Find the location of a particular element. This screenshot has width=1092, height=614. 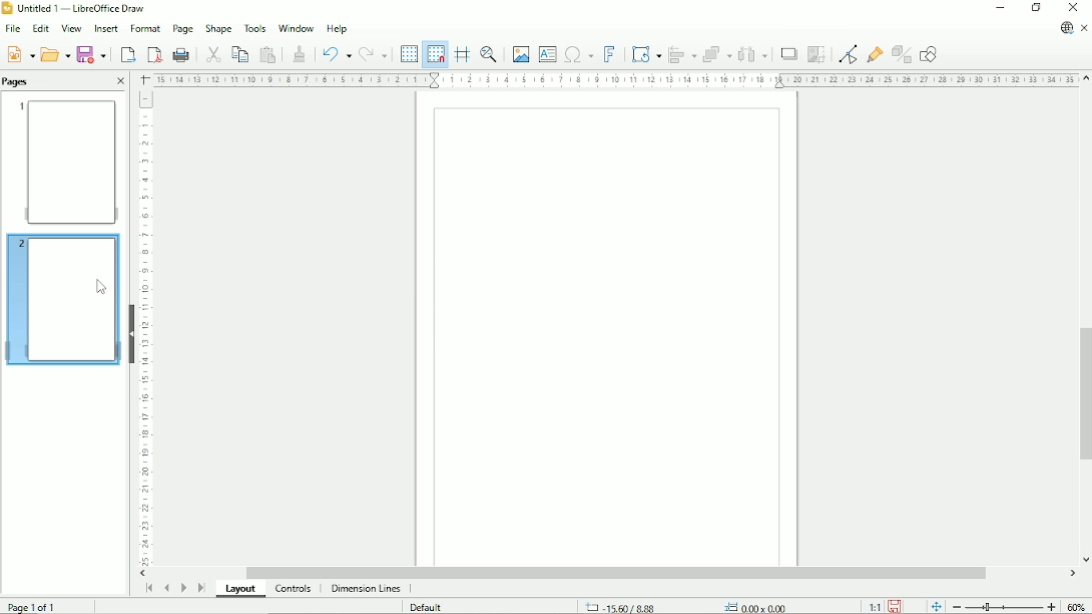

Close document is located at coordinates (1085, 29).